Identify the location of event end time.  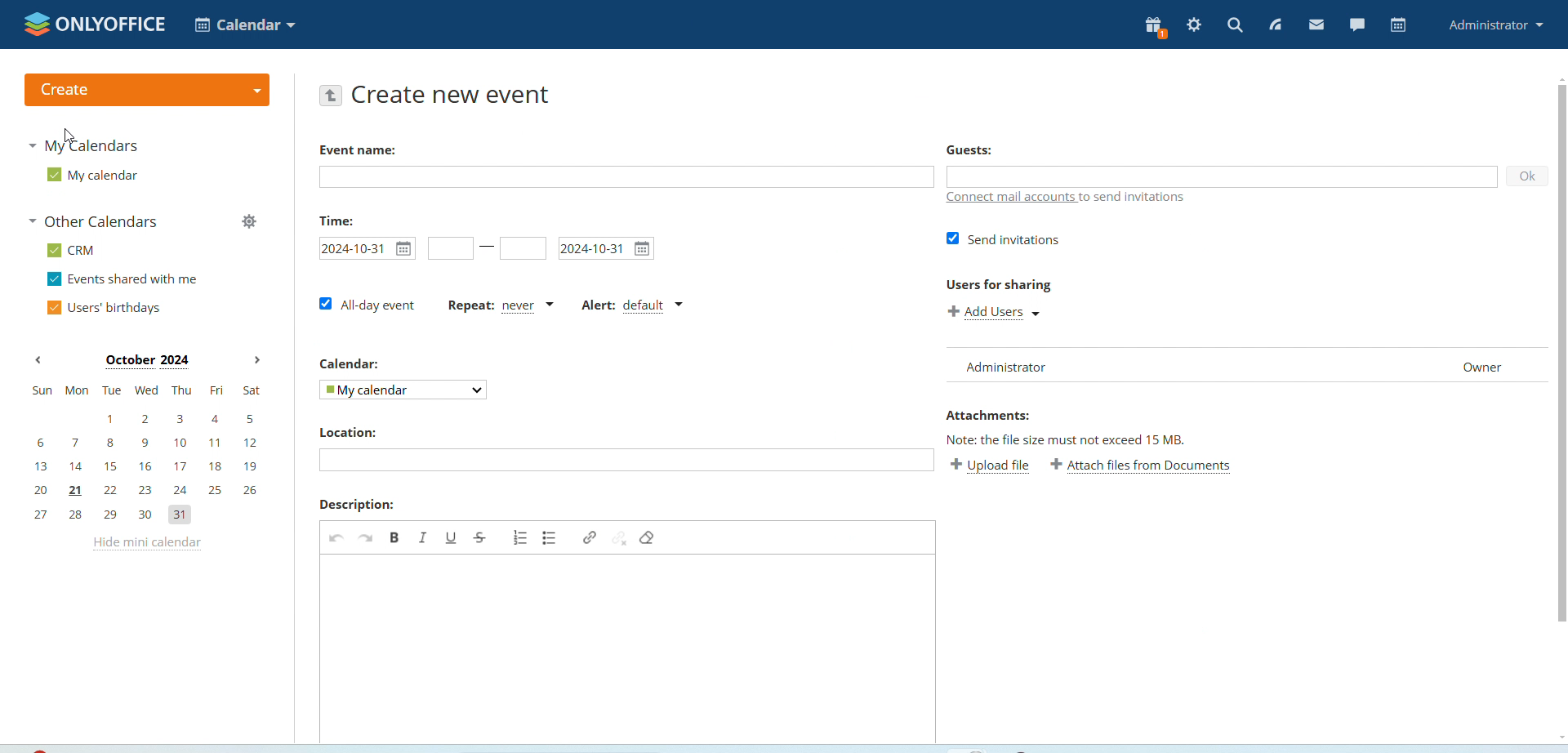
(521, 247).